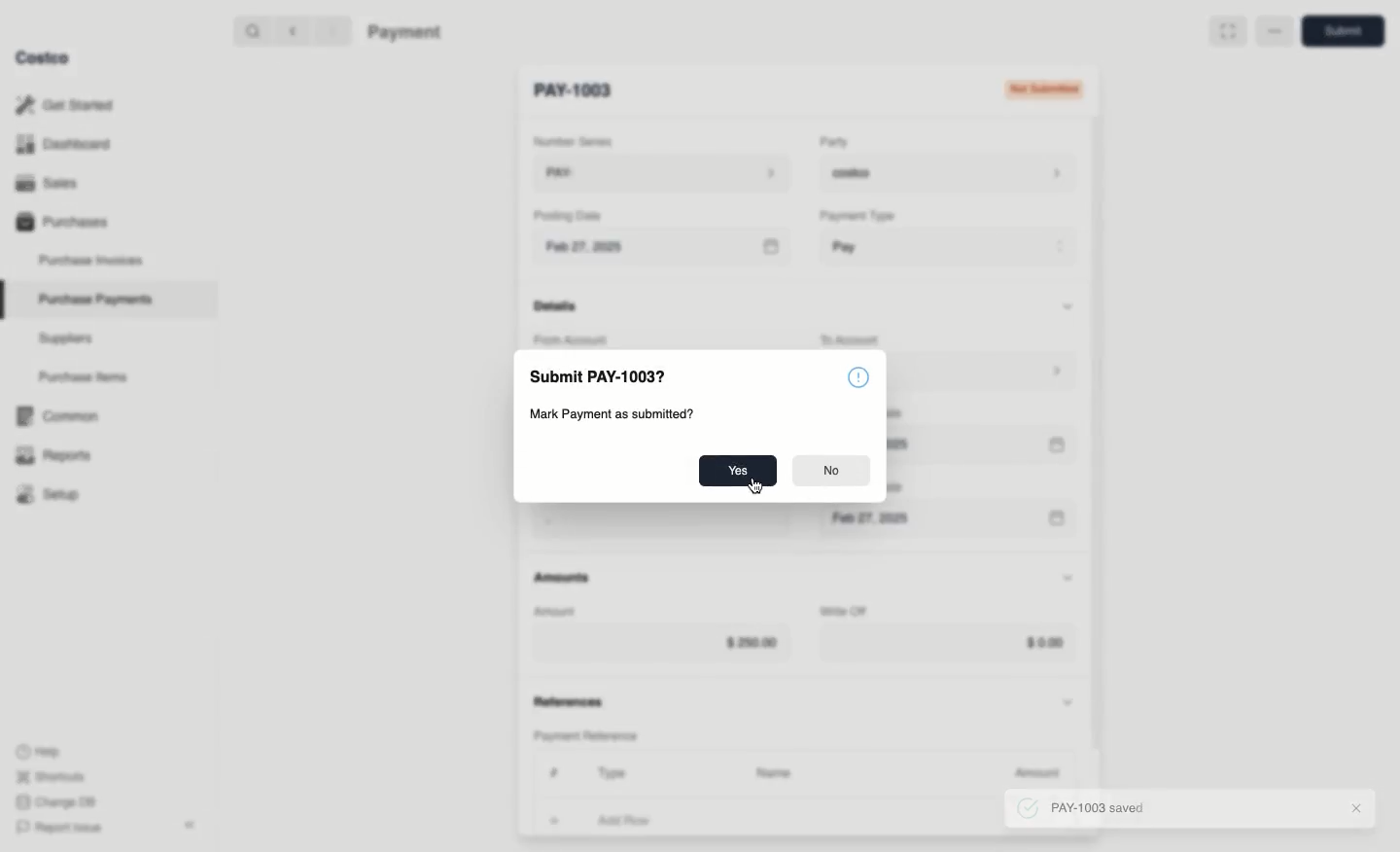 This screenshot has height=852, width=1400. I want to click on Costco, so click(42, 57).